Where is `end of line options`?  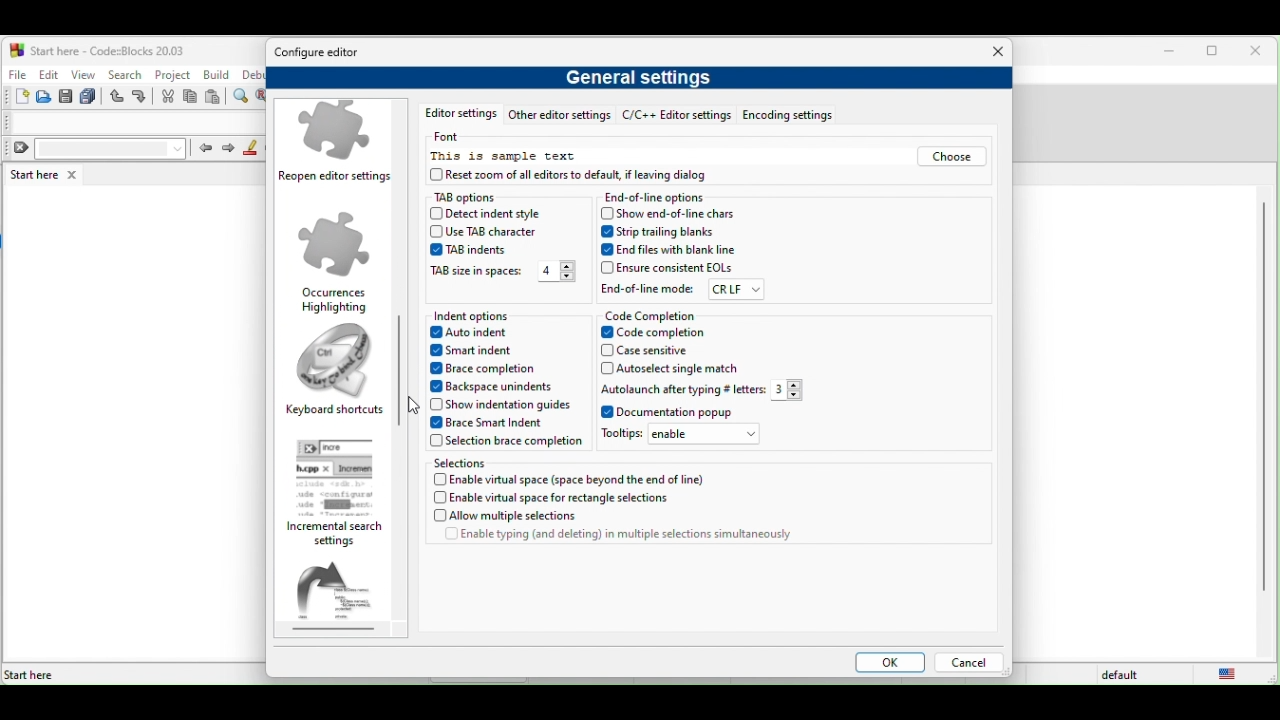
end of line options is located at coordinates (660, 198).